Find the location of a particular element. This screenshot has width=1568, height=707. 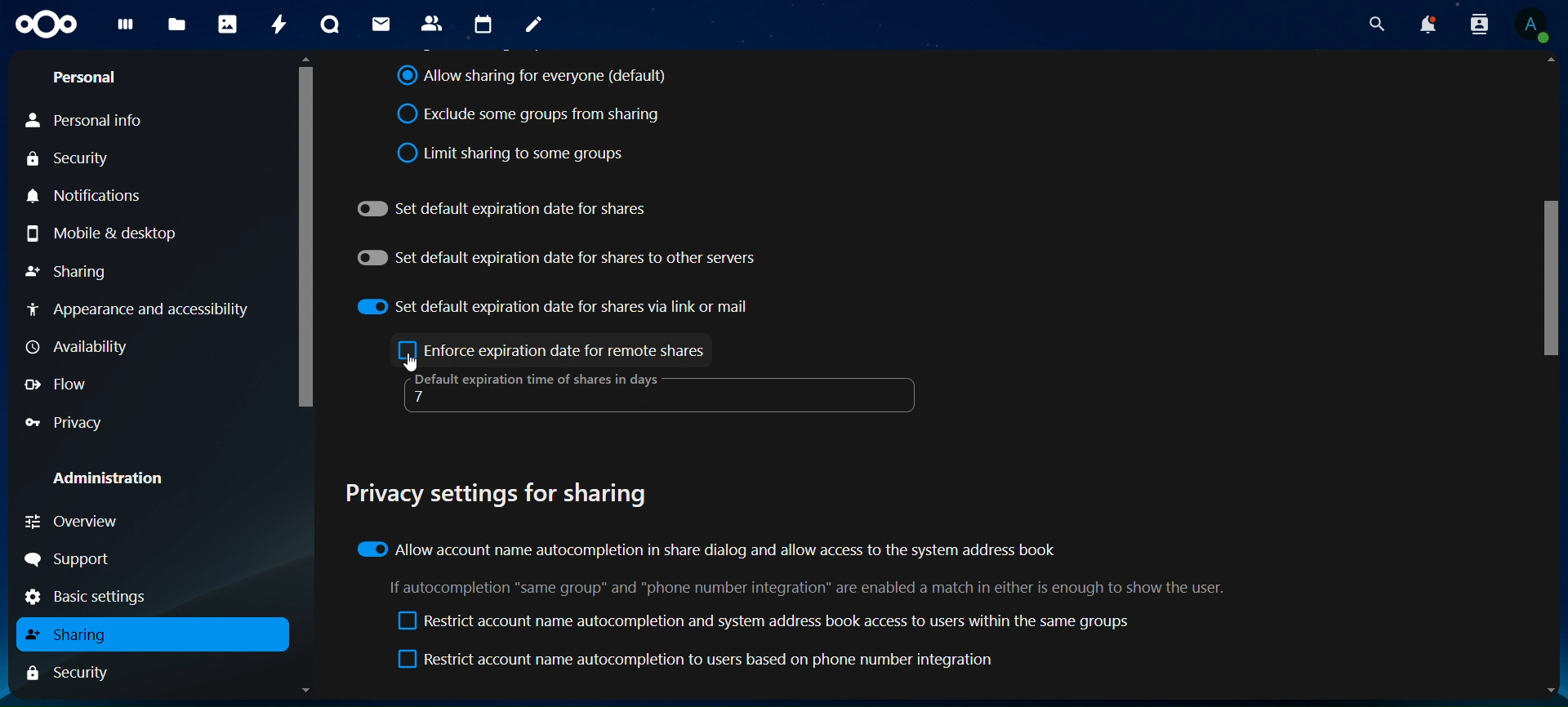

exclude somegroups from sharing is located at coordinates (533, 115).